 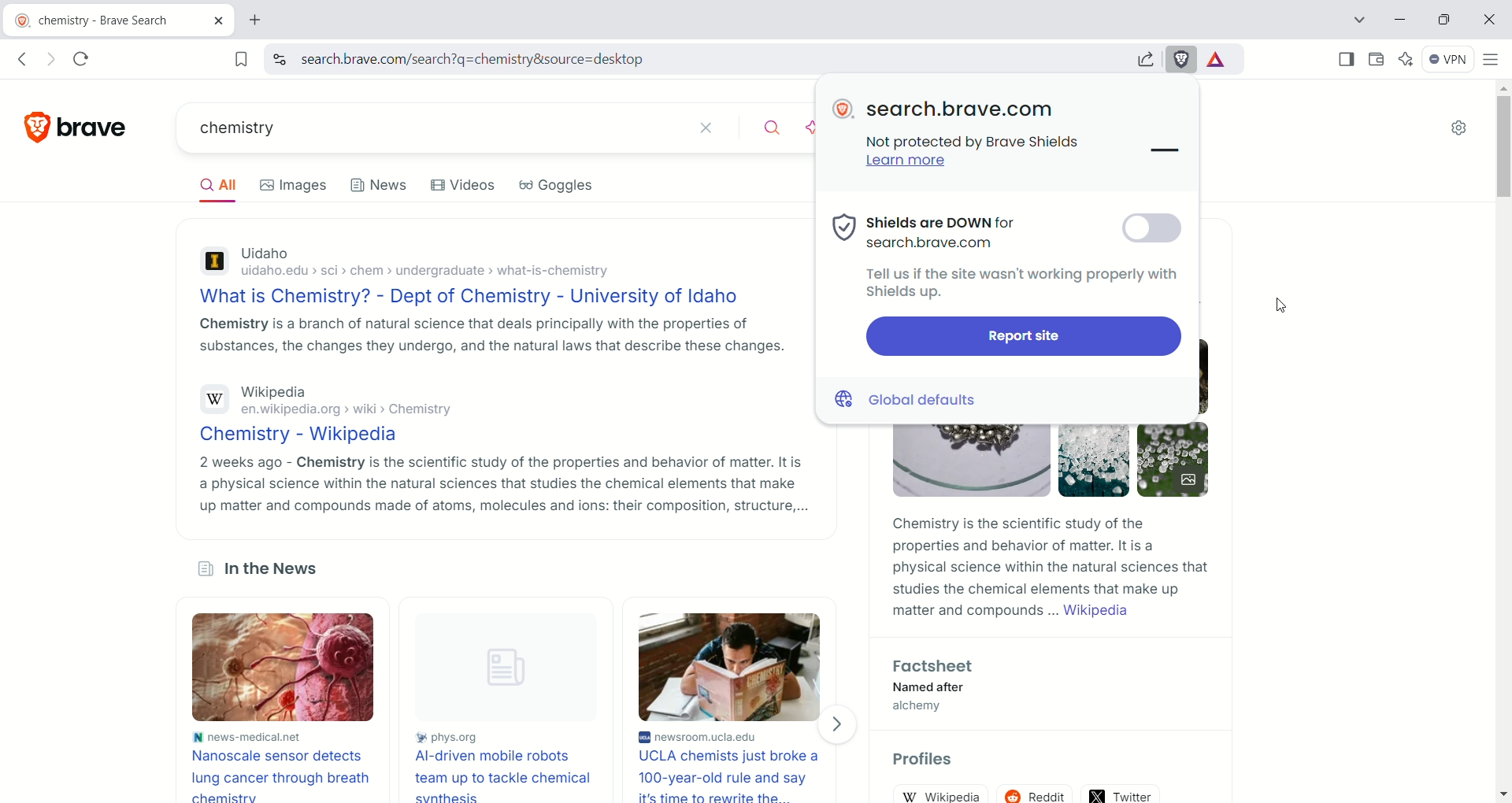 What do you see at coordinates (1359, 20) in the screenshot?
I see `search tabs` at bounding box center [1359, 20].